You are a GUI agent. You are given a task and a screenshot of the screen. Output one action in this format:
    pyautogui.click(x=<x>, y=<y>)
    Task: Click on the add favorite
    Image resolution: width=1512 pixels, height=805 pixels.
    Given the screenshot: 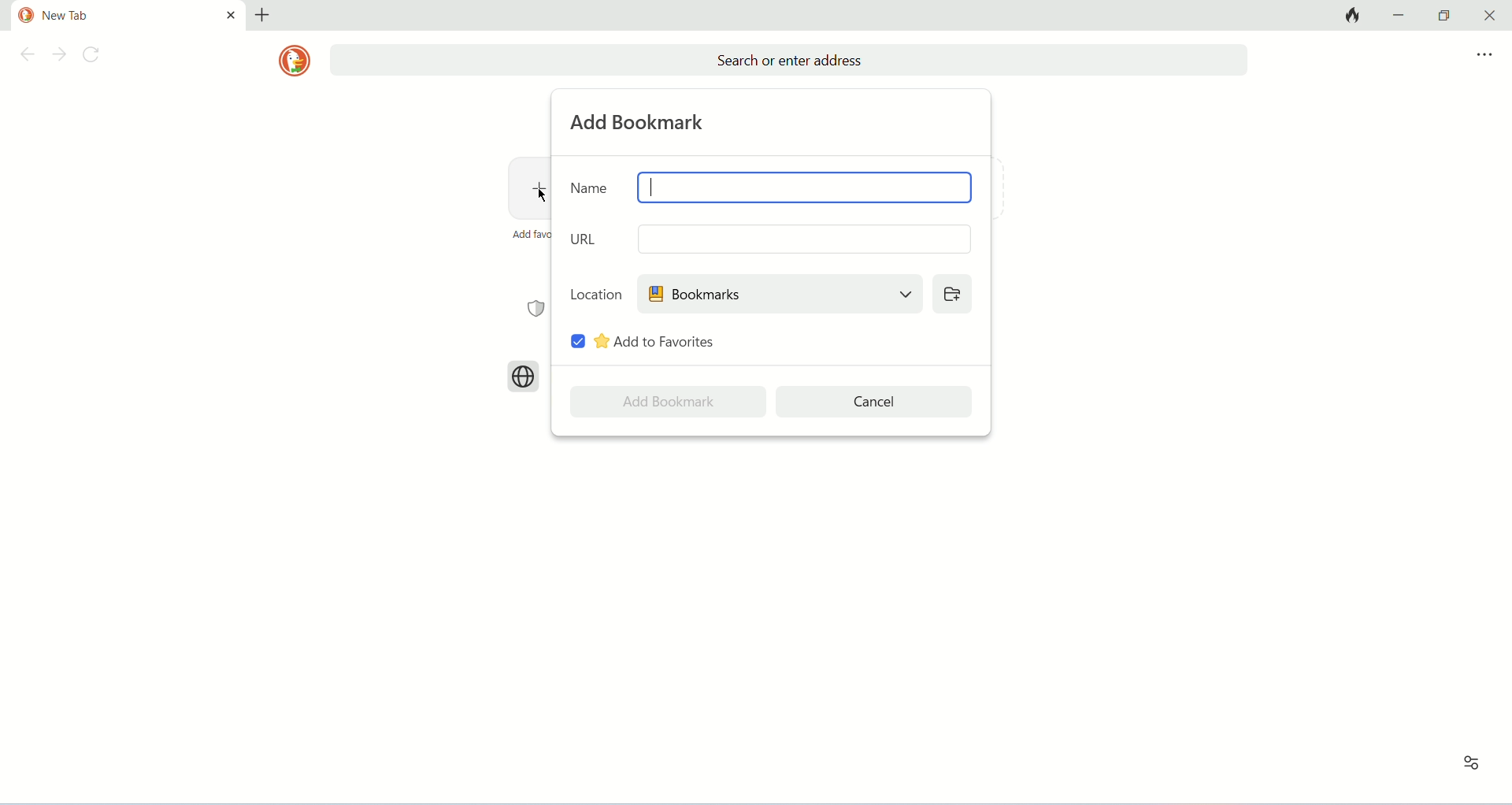 What is the action you would take?
    pyautogui.click(x=530, y=234)
    